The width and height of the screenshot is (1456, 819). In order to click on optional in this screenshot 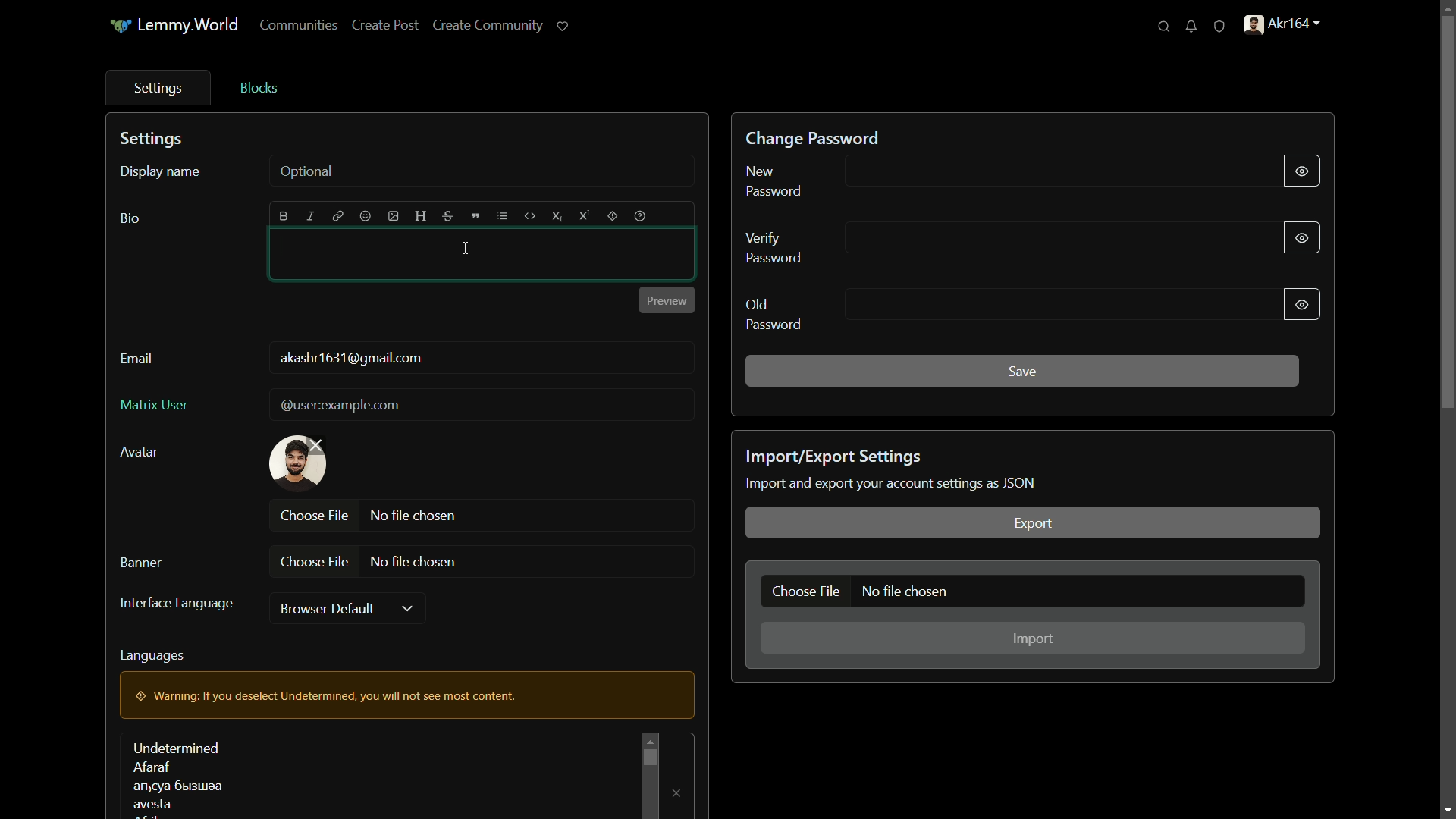, I will do `click(307, 172)`.